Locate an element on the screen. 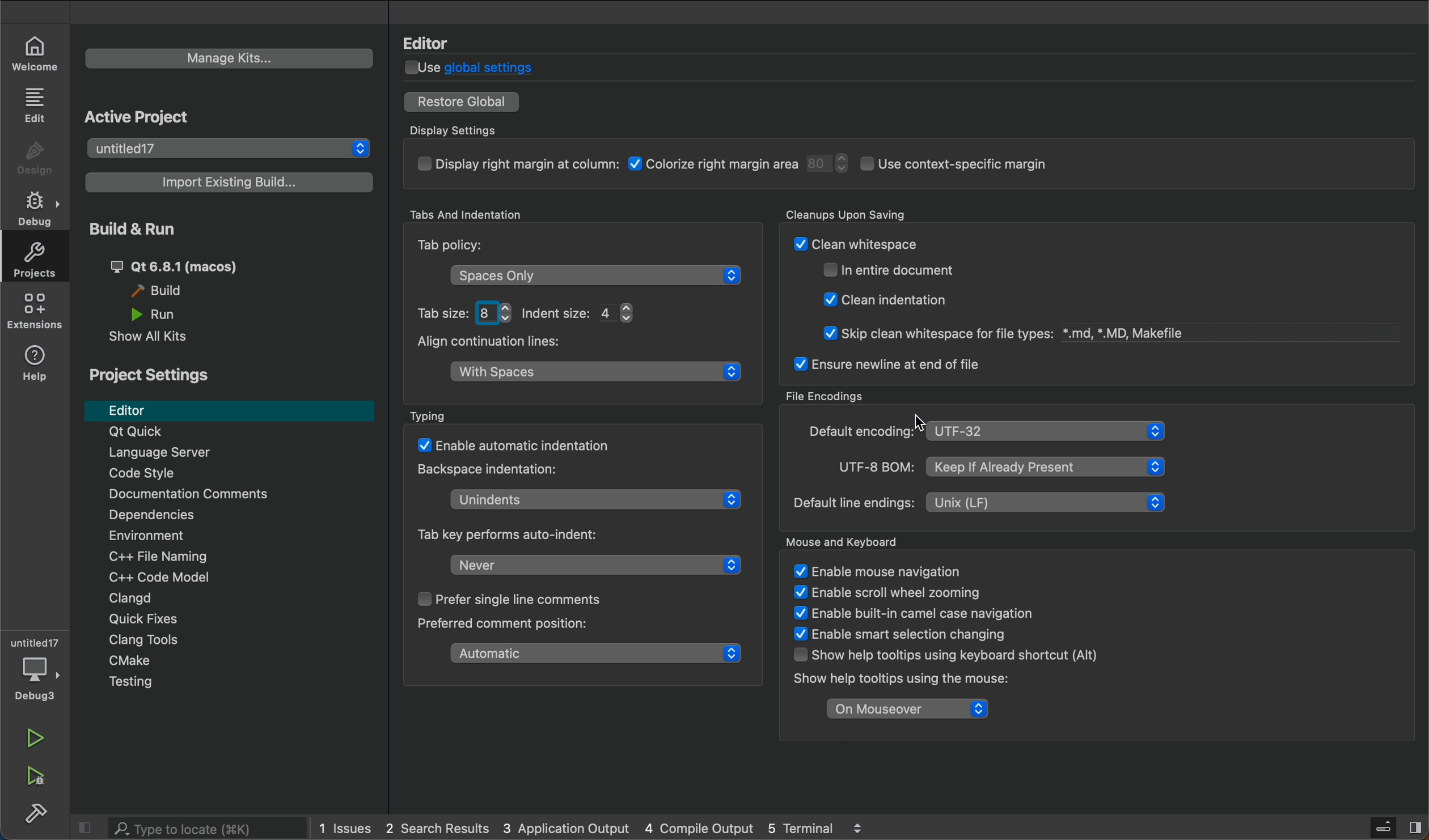 The image size is (1429, 840). mouse and keyboard settings is located at coordinates (870, 570).